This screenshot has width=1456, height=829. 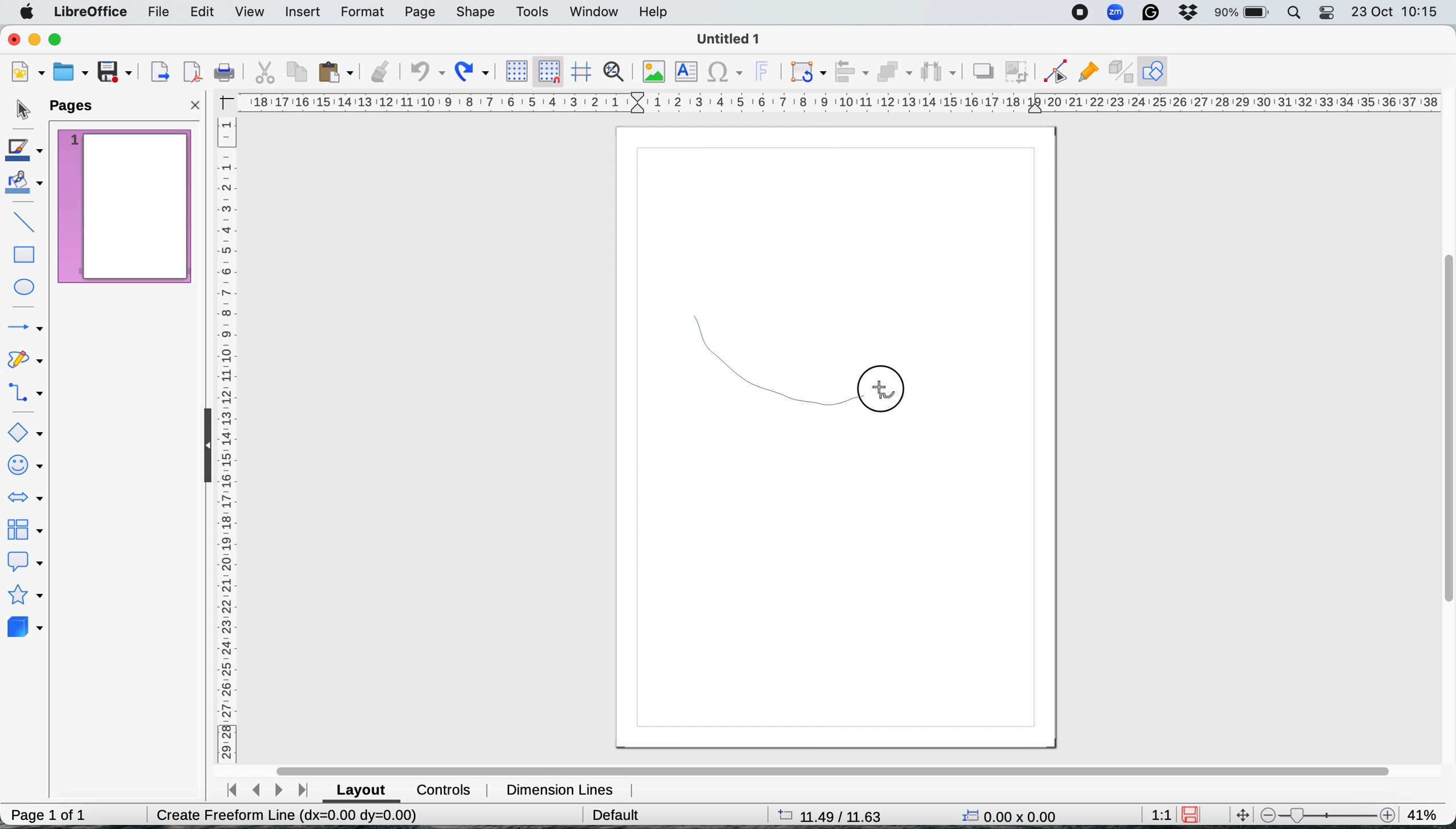 What do you see at coordinates (23, 149) in the screenshot?
I see `line color` at bounding box center [23, 149].